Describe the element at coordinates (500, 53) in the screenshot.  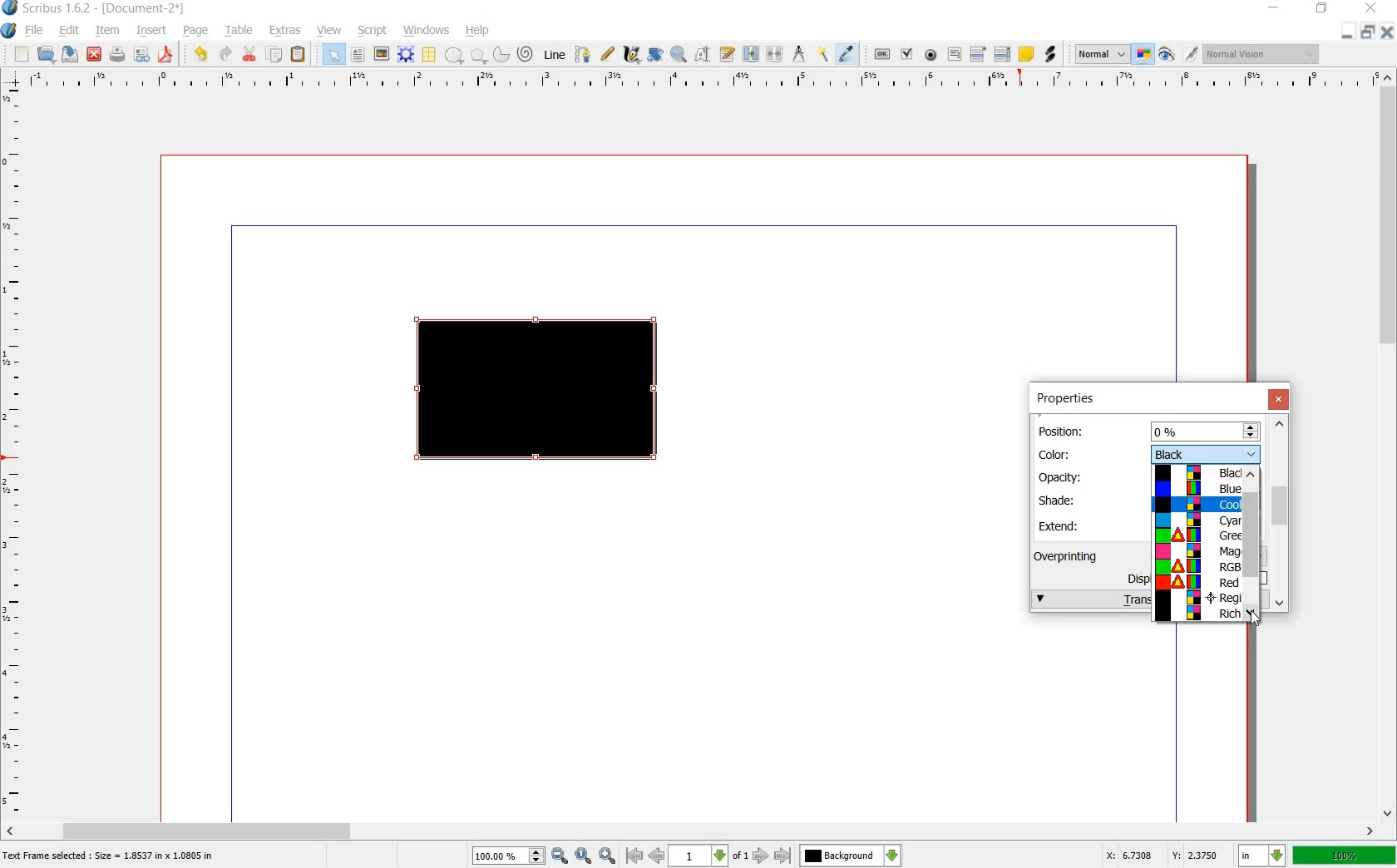
I see `arc` at that location.